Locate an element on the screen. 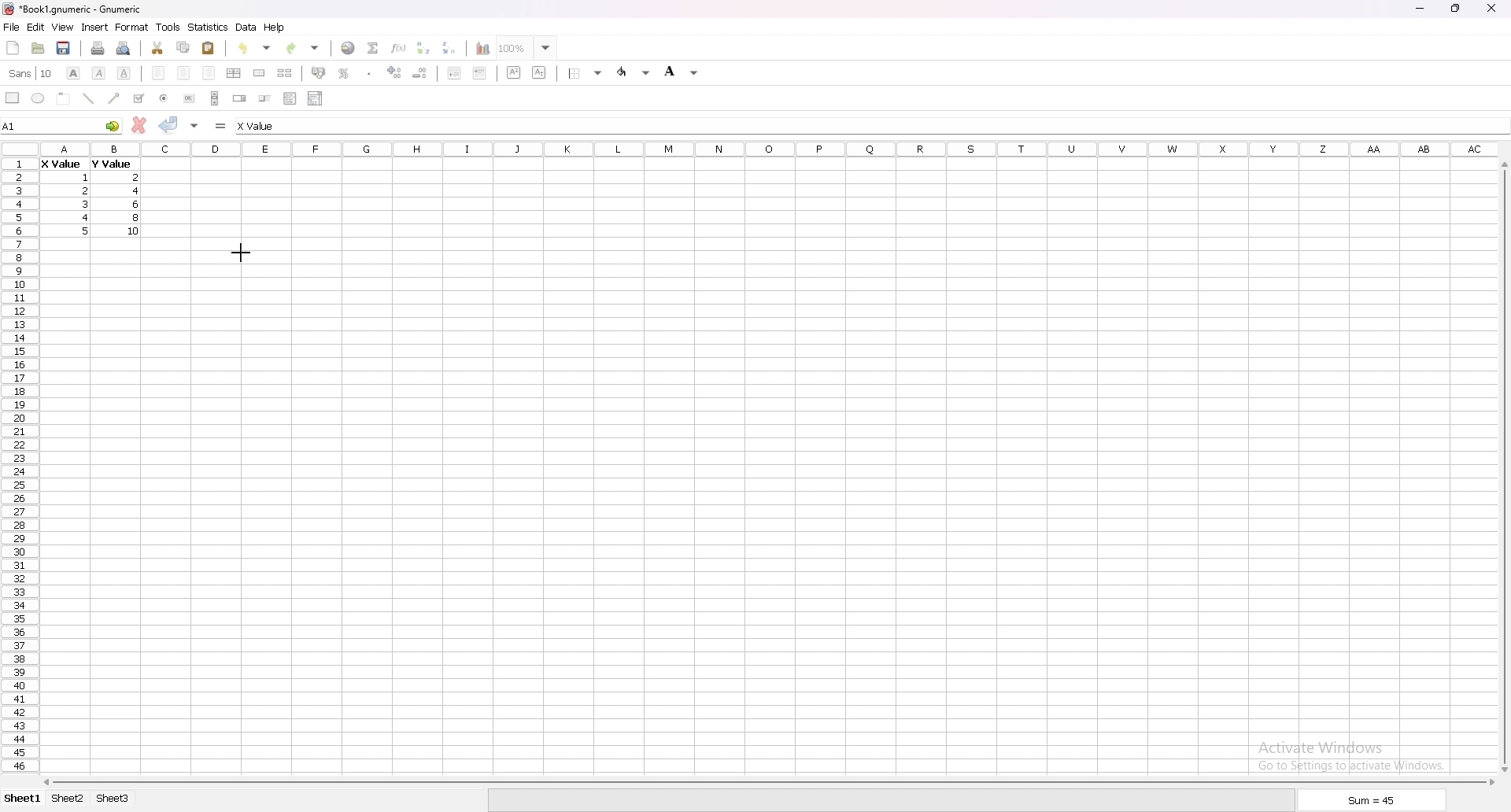 This screenshot has width=1511, height=812. accounting is located at coordinates (320, 72).